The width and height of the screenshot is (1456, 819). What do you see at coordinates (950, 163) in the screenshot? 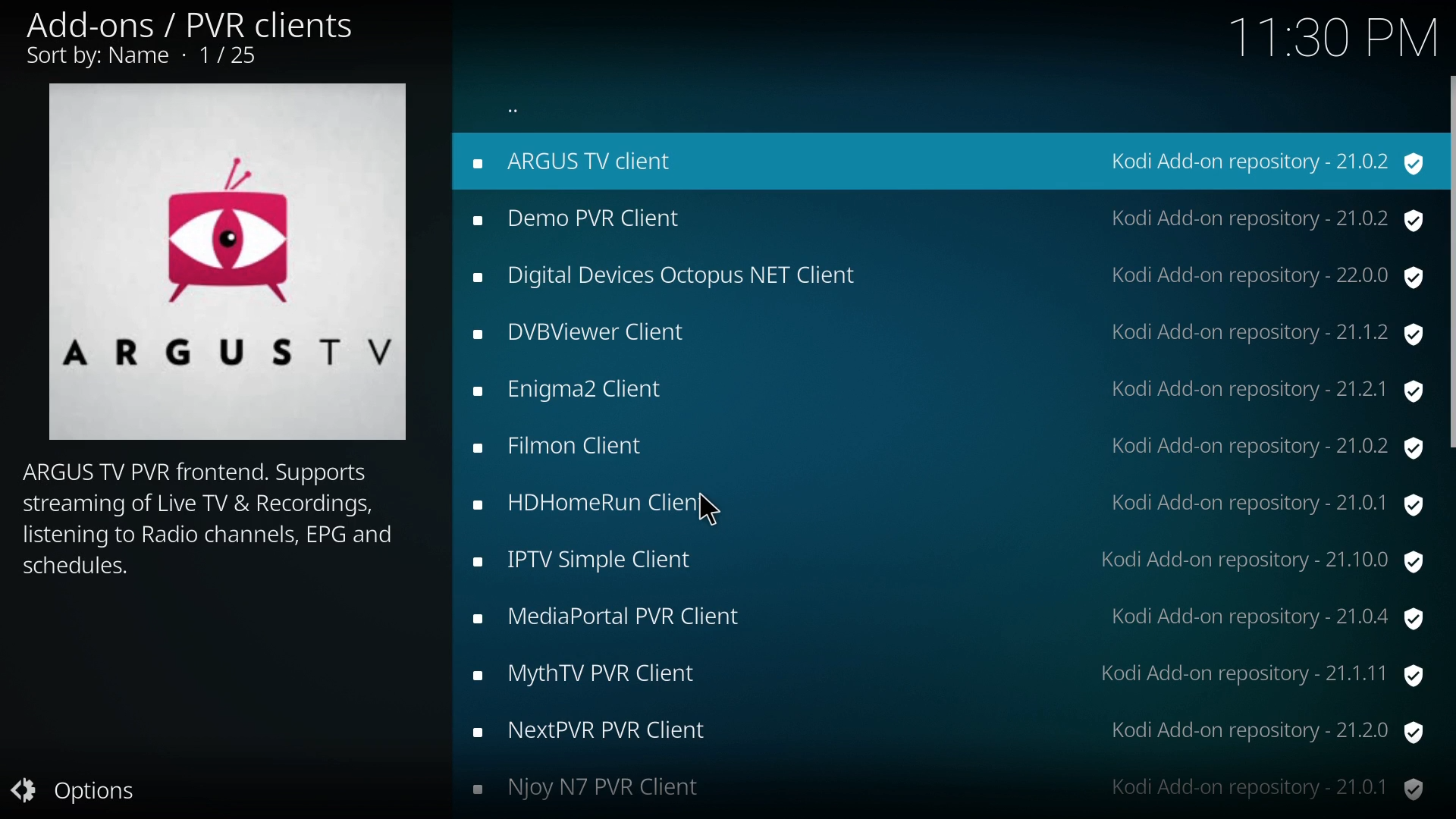
I see `ARGUS TV client Kodi Add-on repository - 21.0.2` at bounding box center [950, 163].